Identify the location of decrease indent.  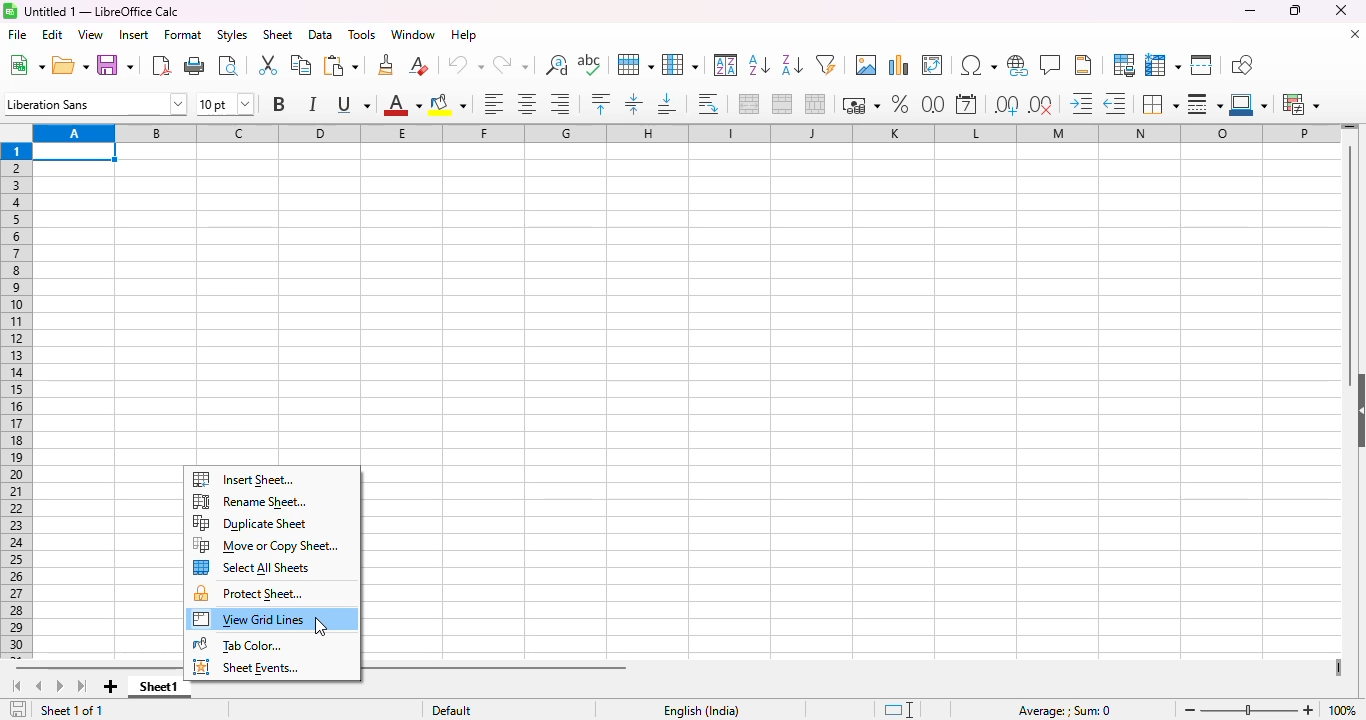
(1115, 102).